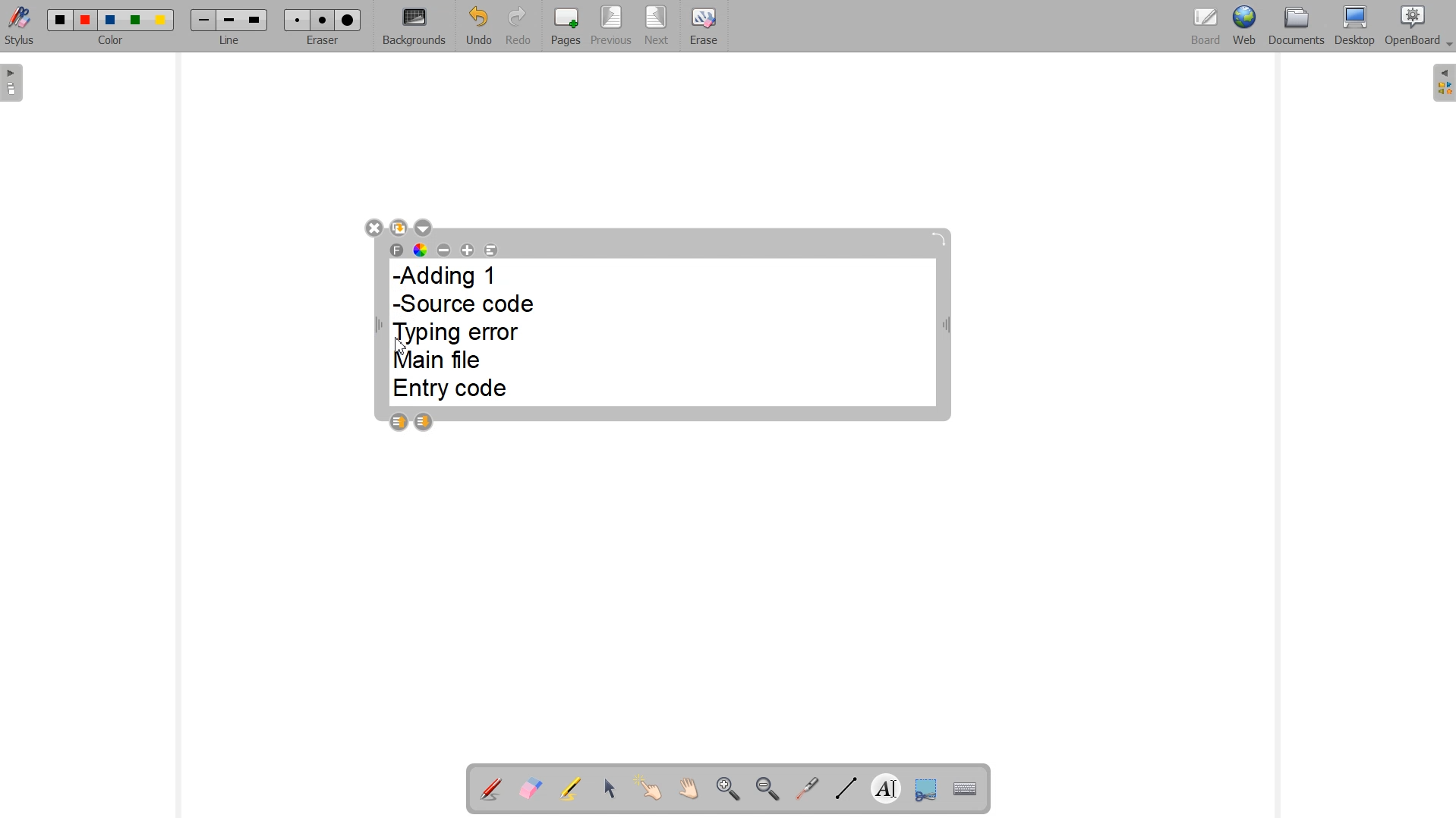 This screenshot has width=1456, height=818. What do you see at coordinates (298, 20) in the screenshot?
I see `Small eraser` at bounding box center [298, 20].